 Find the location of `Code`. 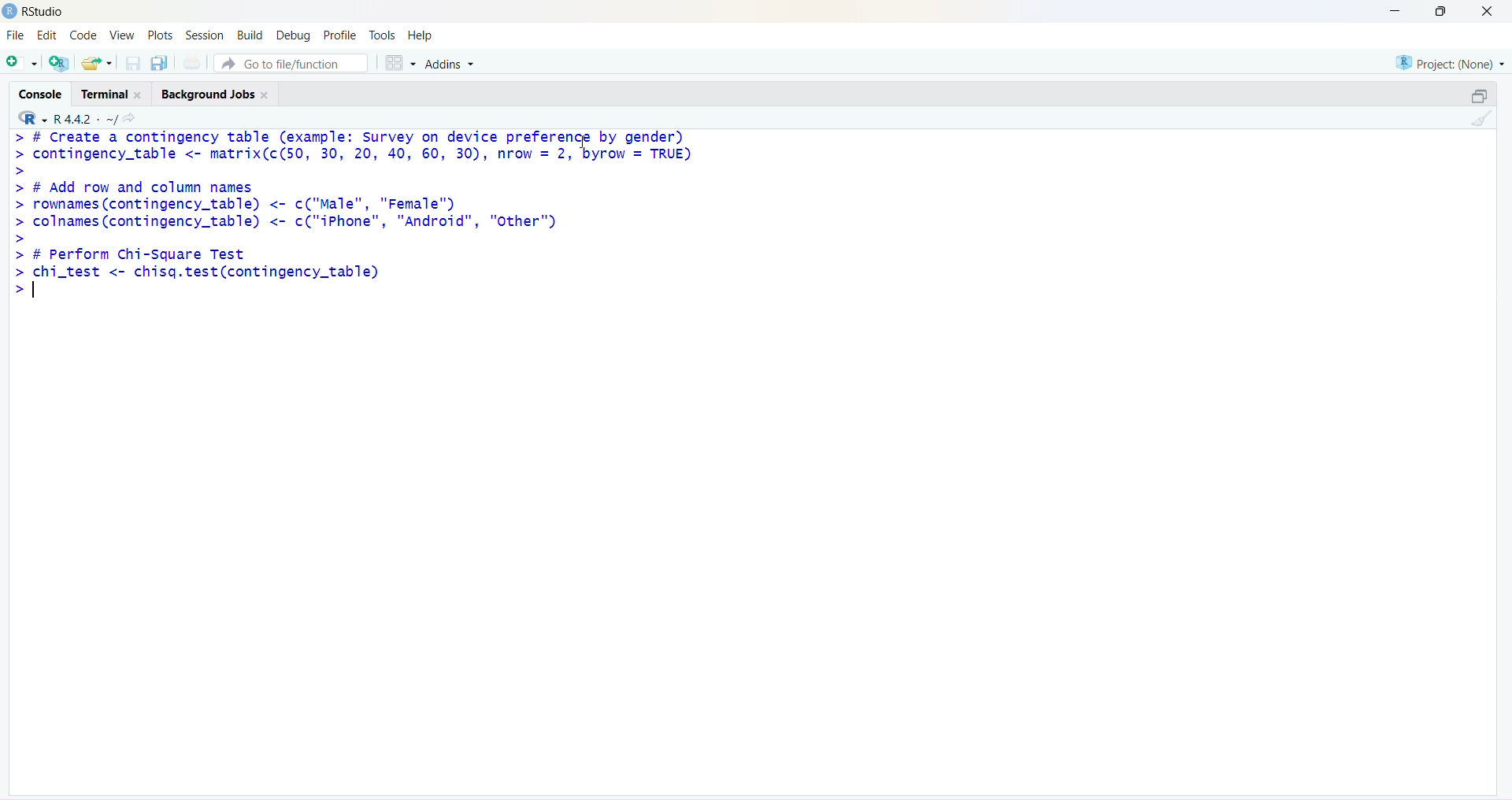

Code is located at coordinates (83, 35).